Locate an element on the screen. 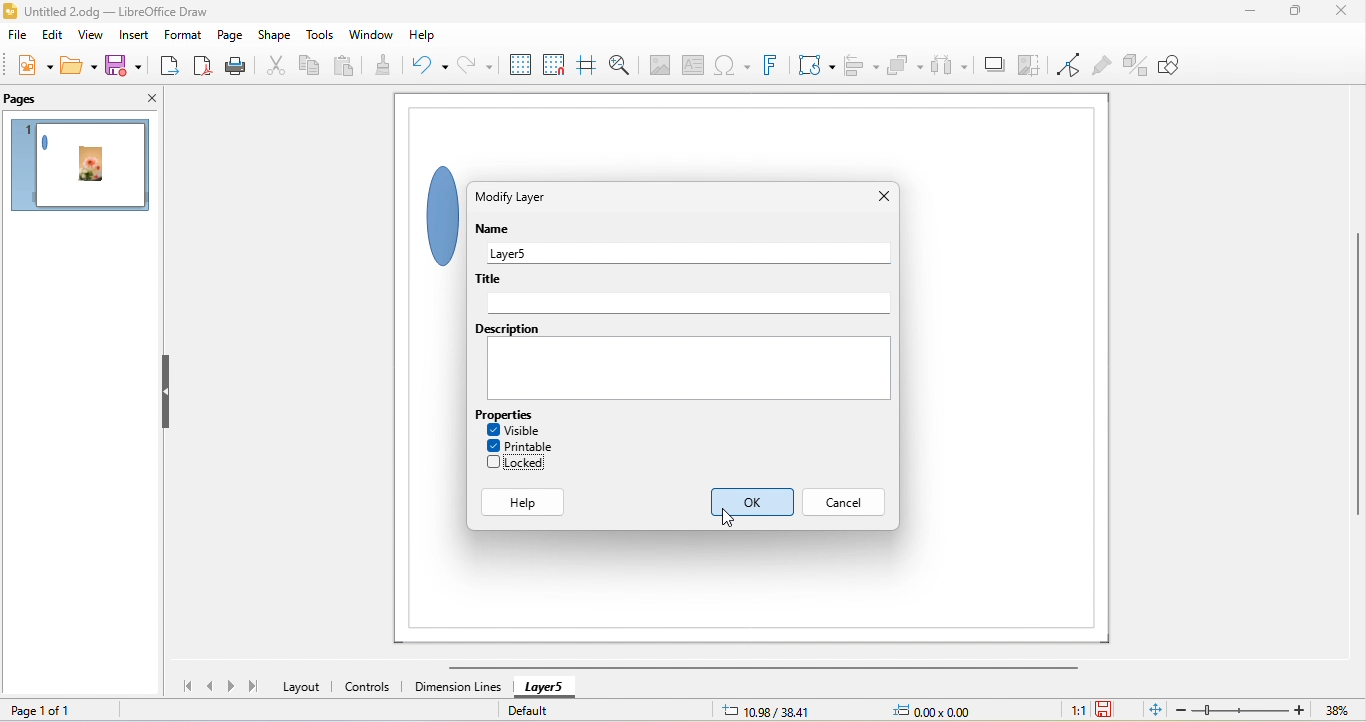 The image size is (1366, 722). title is located at coordinates (683, 296).